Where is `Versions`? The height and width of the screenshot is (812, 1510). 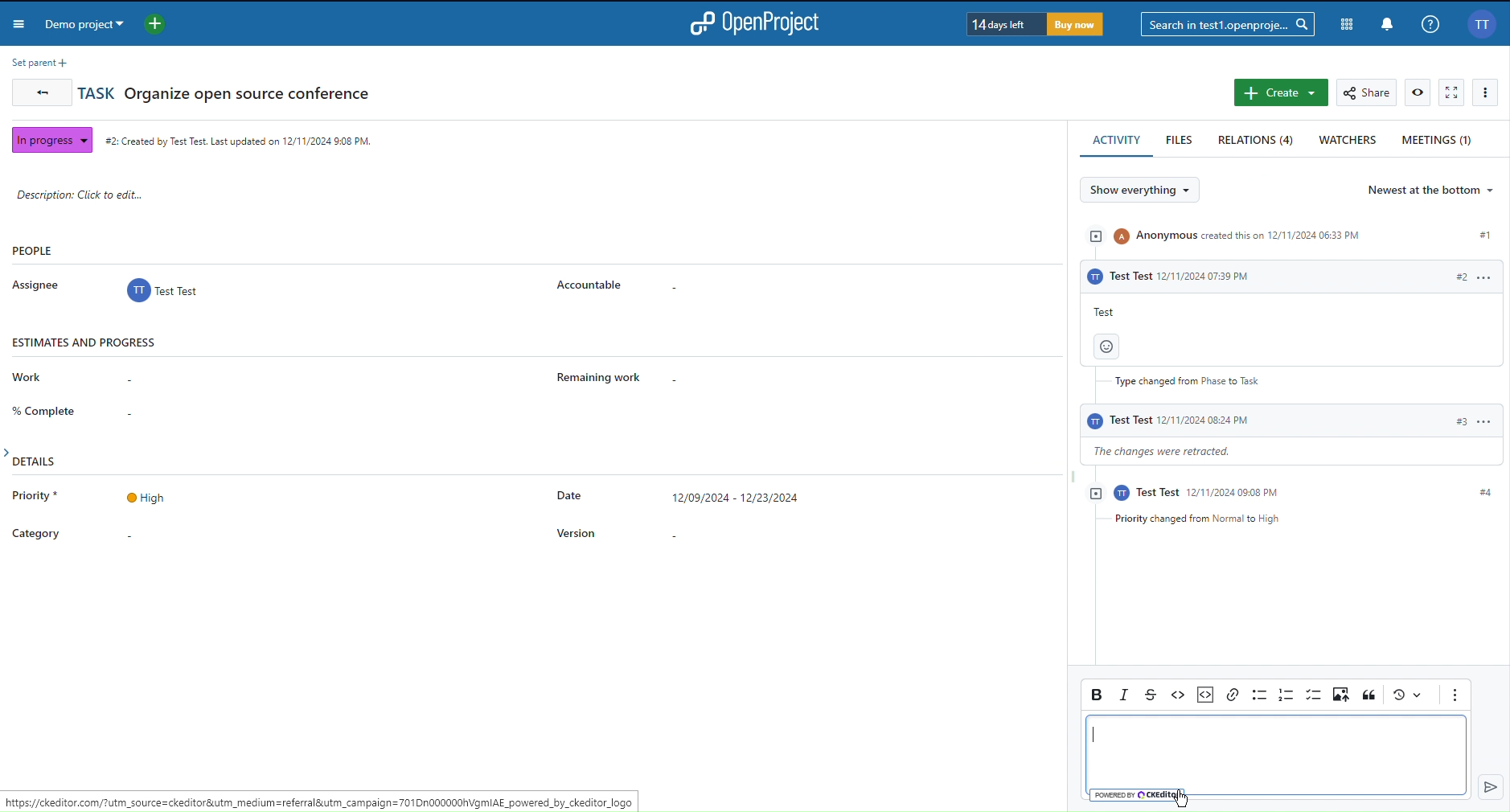
Versions is located at coordinates (1406, 695).